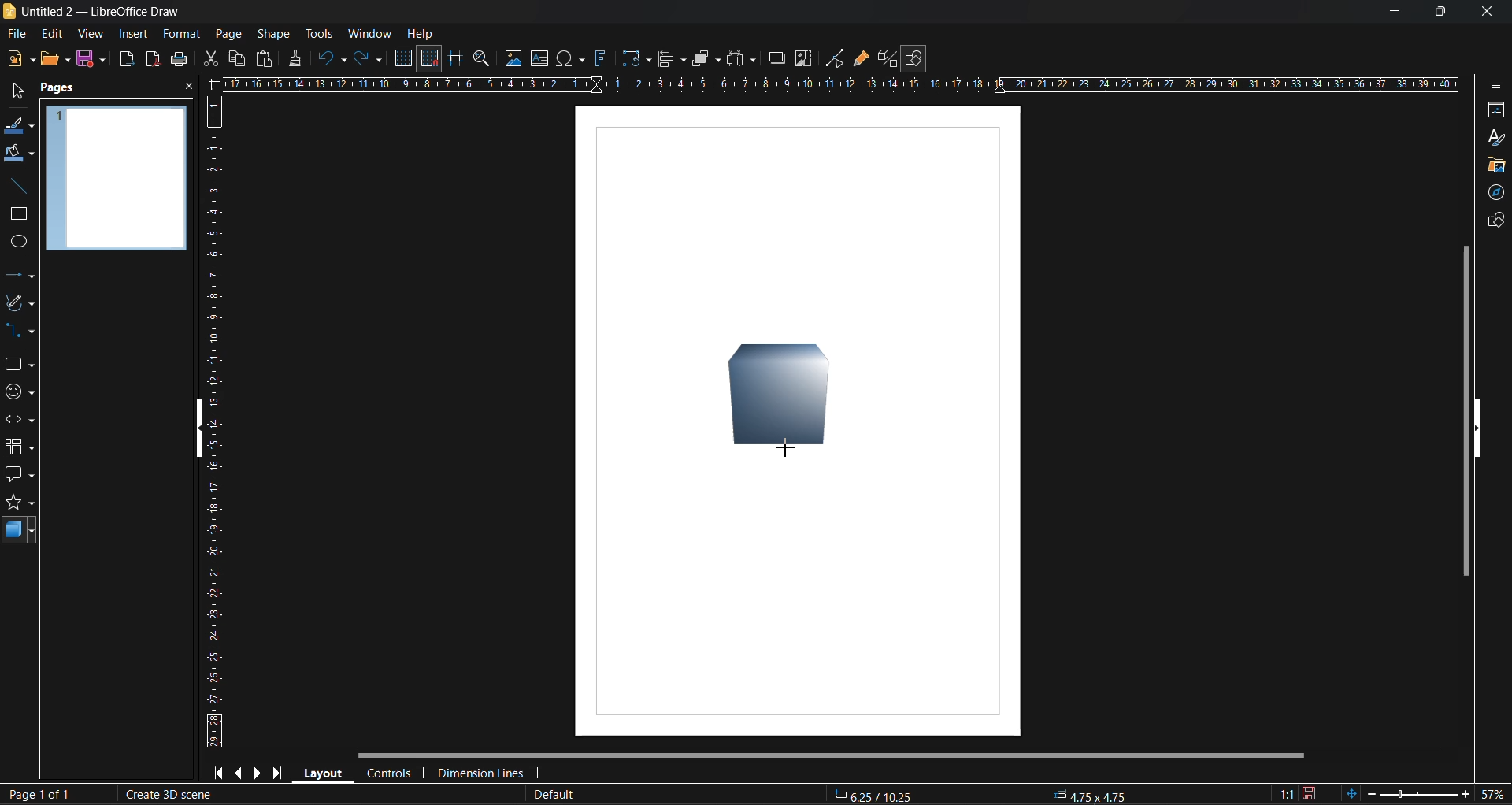 The height and width of the screenshot is (805, 1512). I want to click on horizontal scroll bar, so click(836, 755).